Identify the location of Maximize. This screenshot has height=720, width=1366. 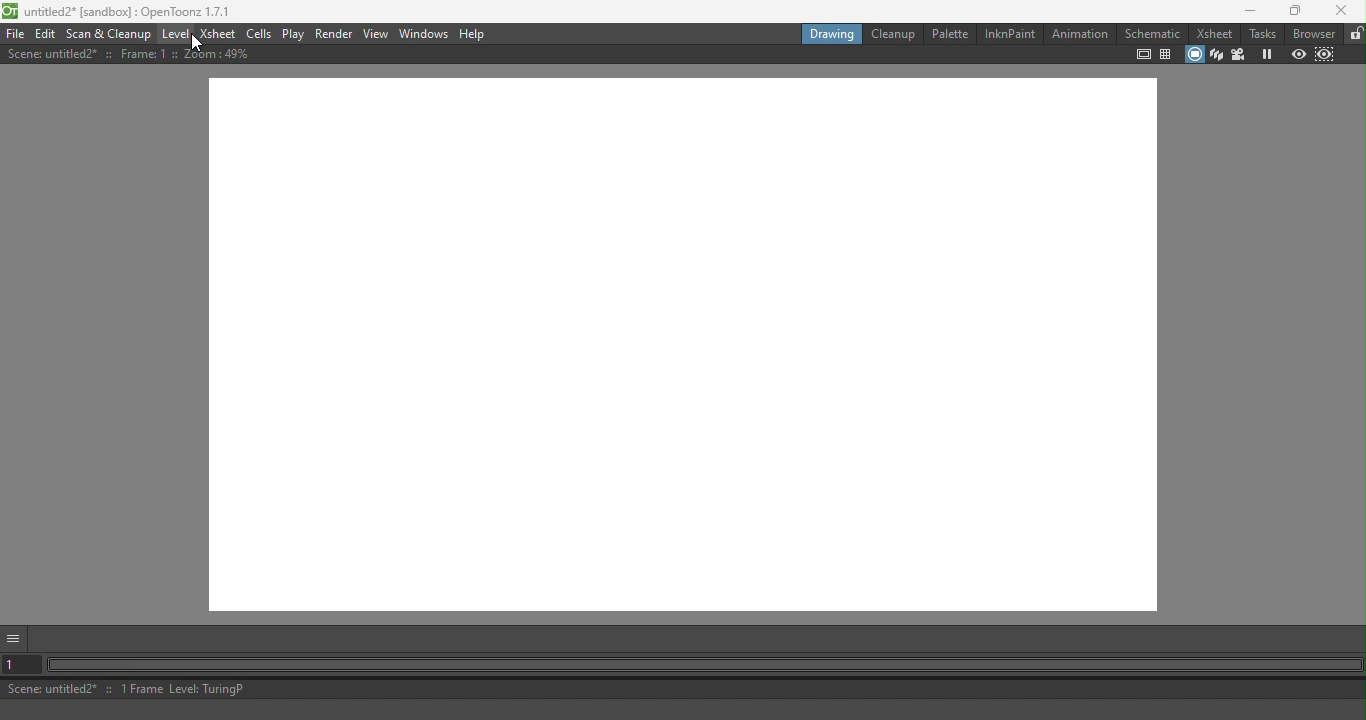
(1291, 12).